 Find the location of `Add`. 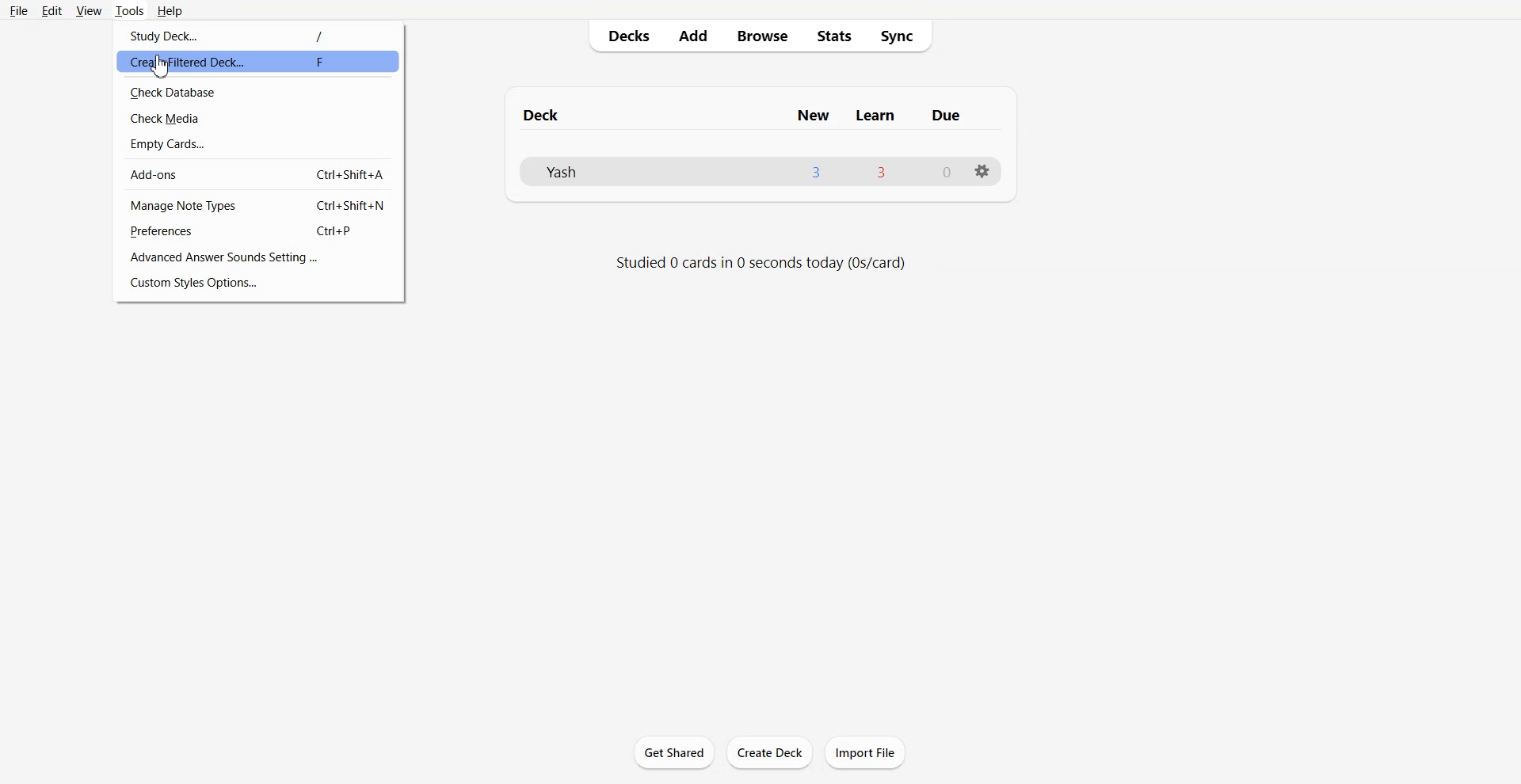

Add is located at coordinates (693, 36).